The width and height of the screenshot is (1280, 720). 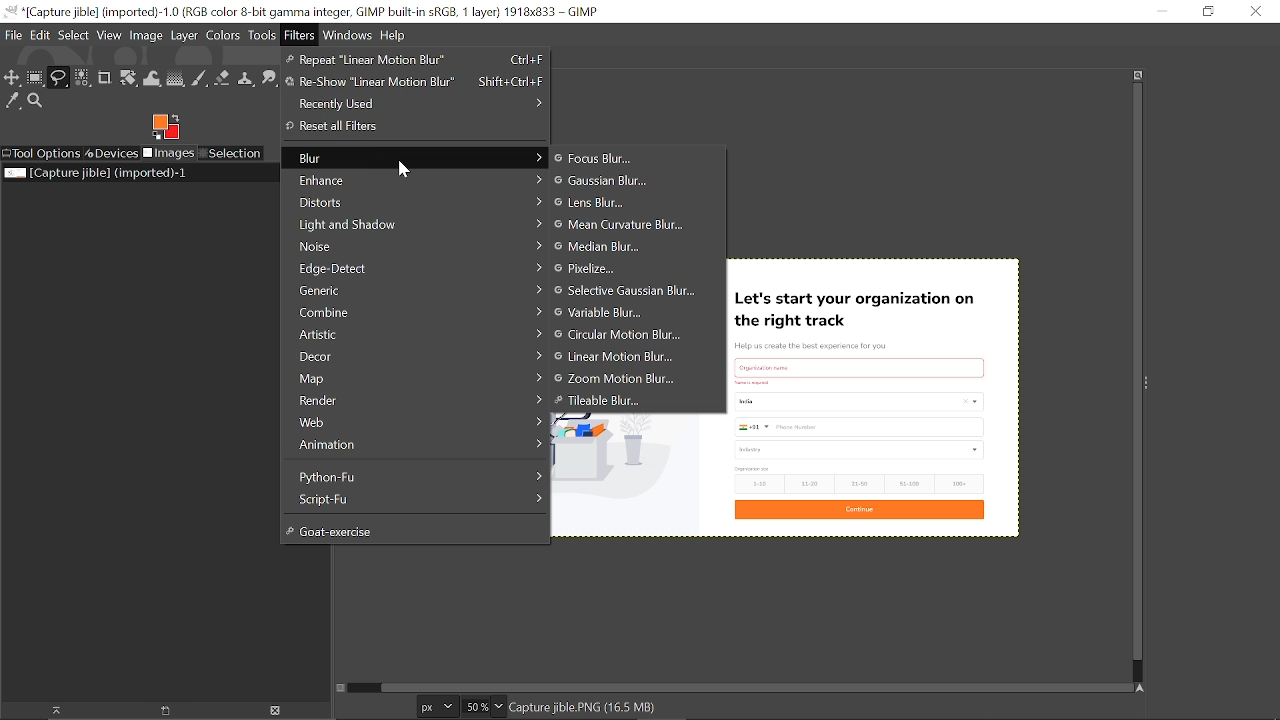 What do you see at coordinates (412, 312) in the screenshot?
I see `Combine` at bounding box center [412, 312].